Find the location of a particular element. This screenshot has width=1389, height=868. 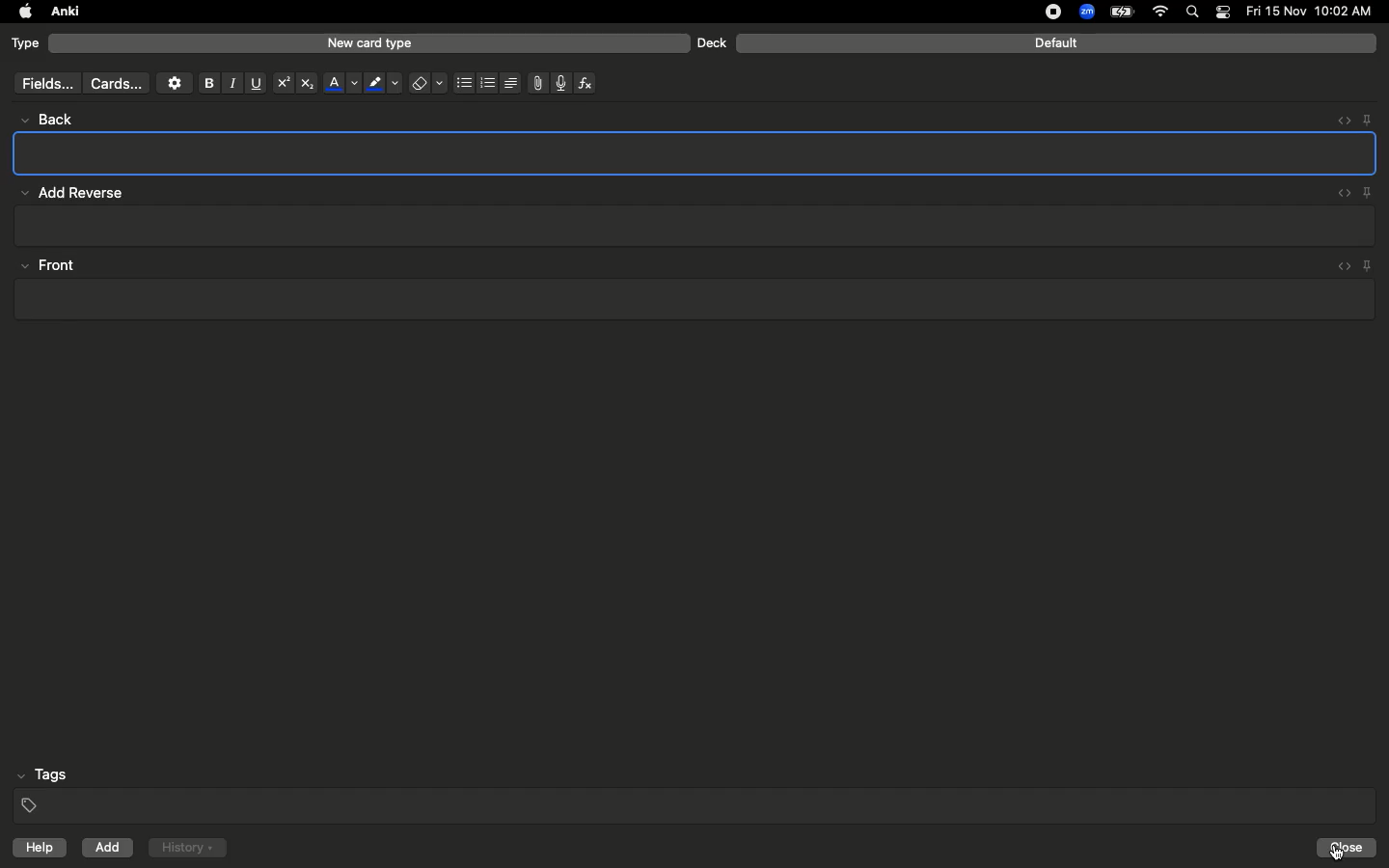

Add reverse is located at coordinates (87, 192).